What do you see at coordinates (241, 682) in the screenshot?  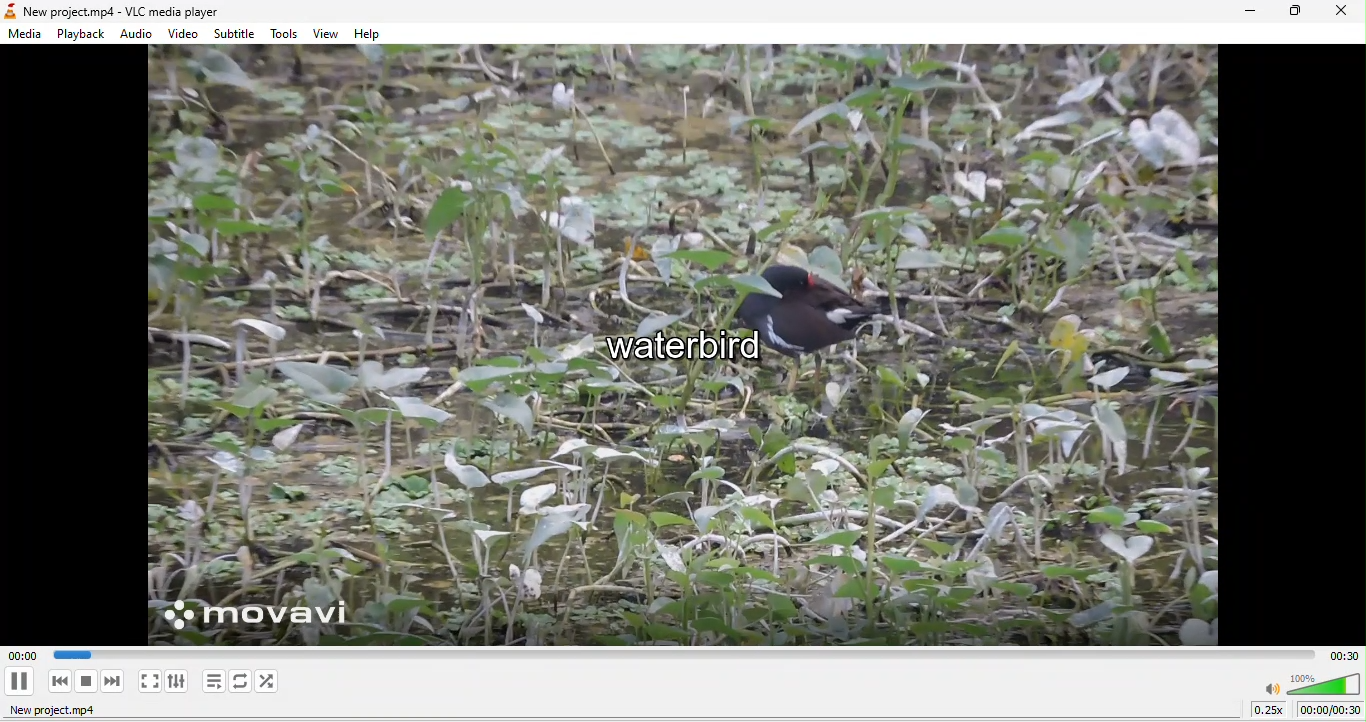 I see `click to toggle between loop all` at bounding box center [241, 682].